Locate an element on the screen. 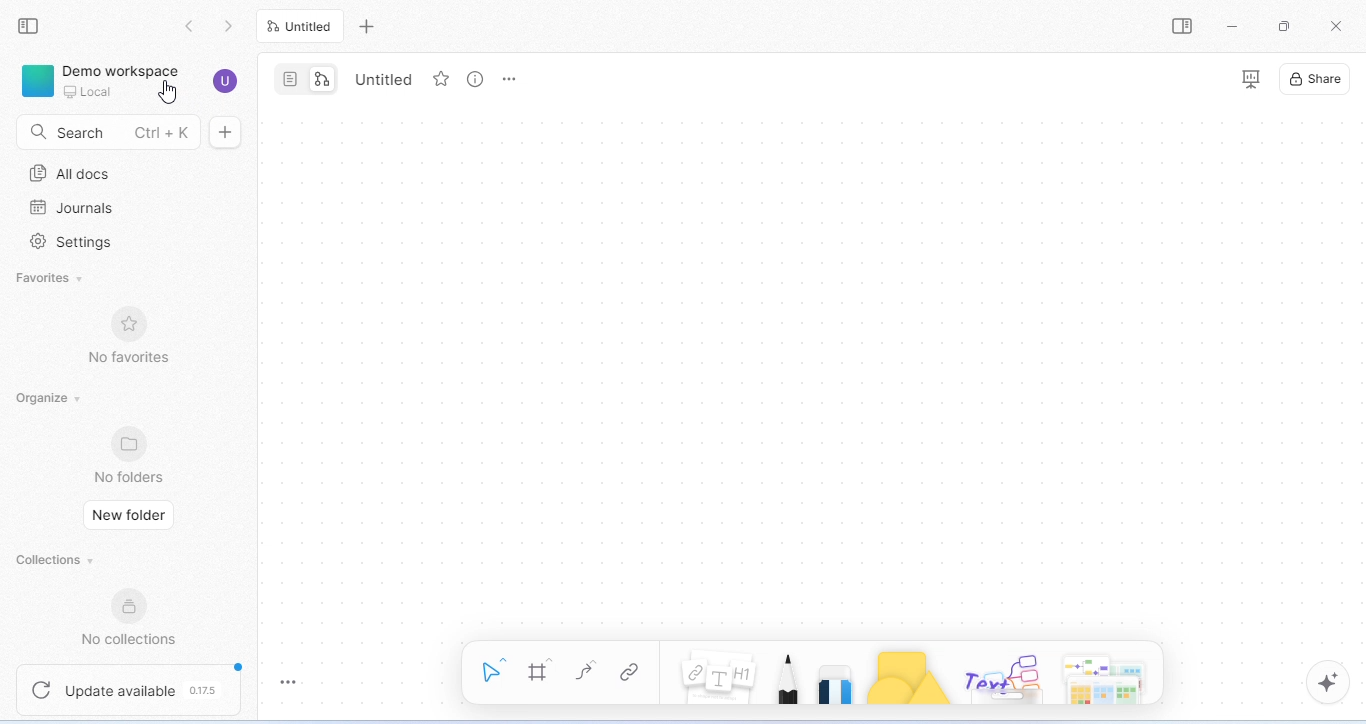 The image size is (1366, 724). shape is located at coordinates (912, 676).